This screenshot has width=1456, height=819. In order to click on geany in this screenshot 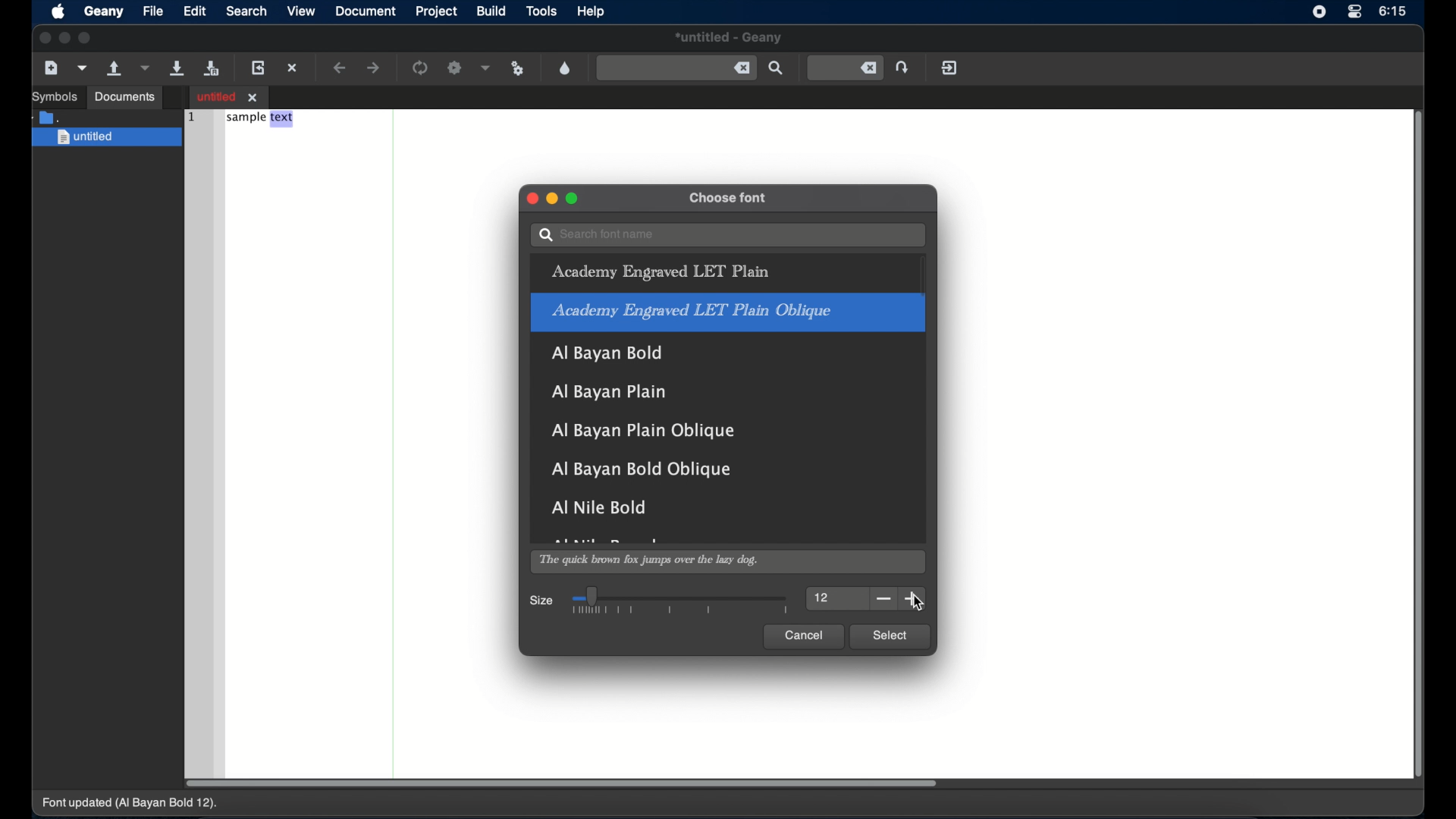, I will do `click(104, 12)`.